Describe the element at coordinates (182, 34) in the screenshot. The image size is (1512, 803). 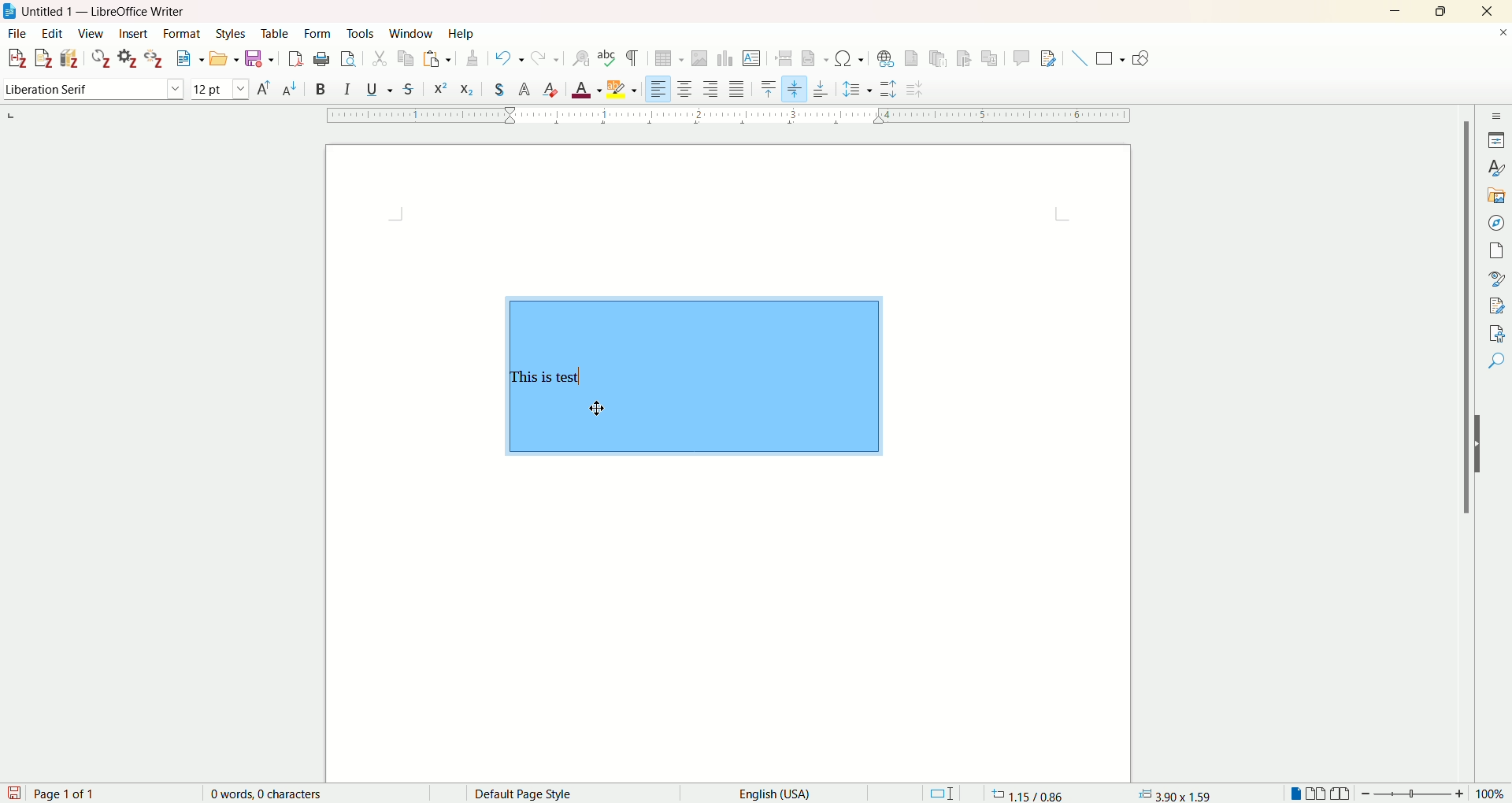
I see `format` at that location.